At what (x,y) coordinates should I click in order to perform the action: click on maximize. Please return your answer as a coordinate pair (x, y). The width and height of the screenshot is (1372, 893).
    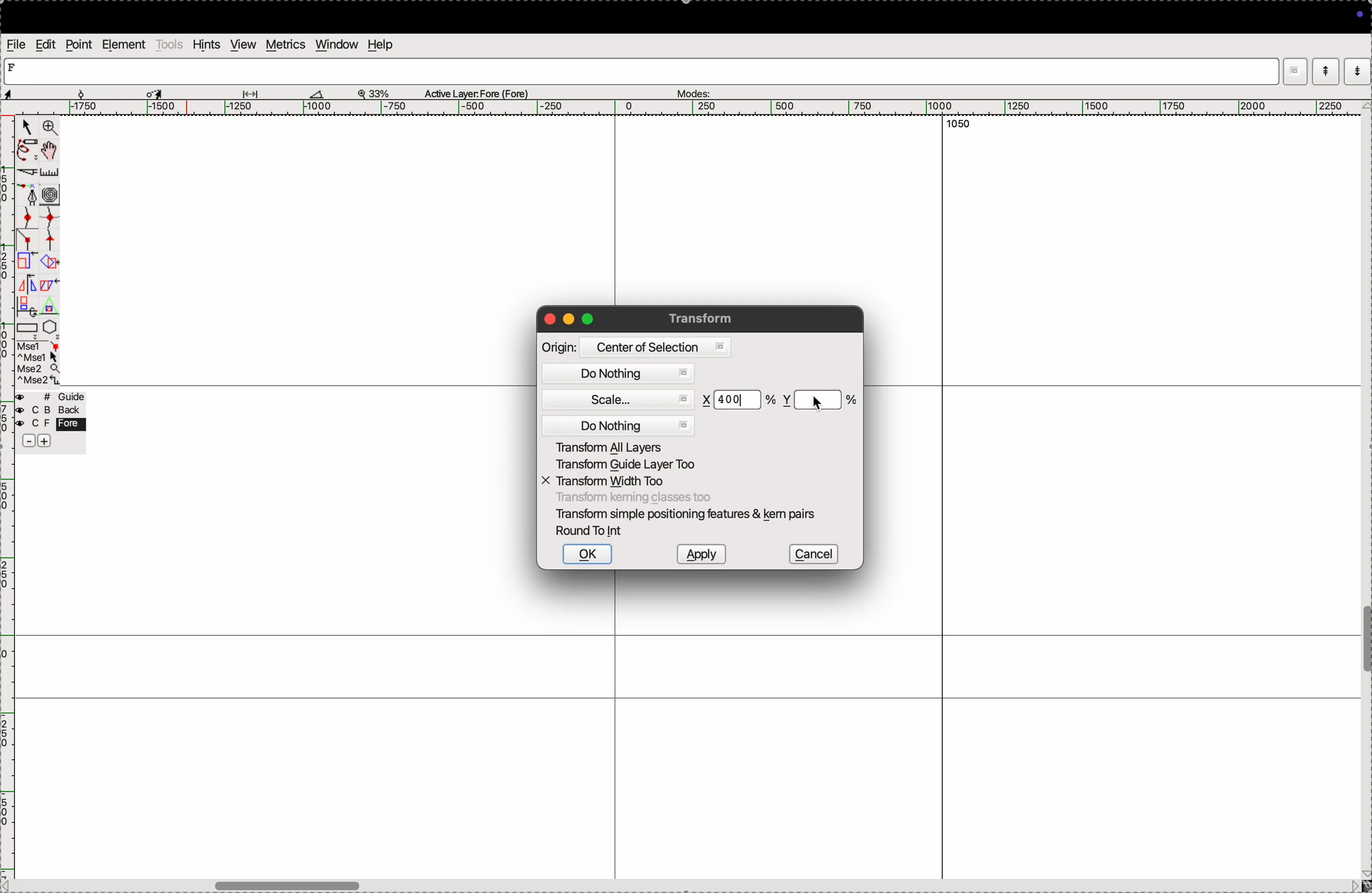
    Looking at the image, I should click on (587, 318).